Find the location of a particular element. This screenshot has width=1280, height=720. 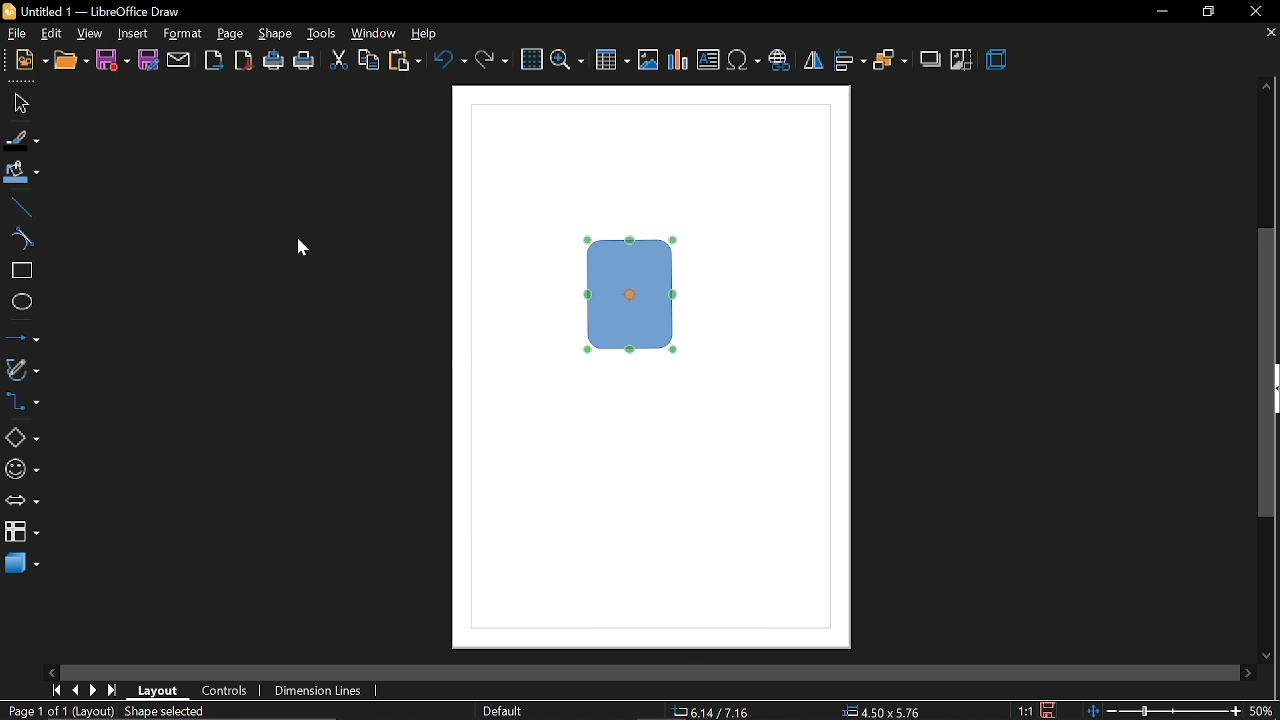

cursor is located at coordinates (301, 248).